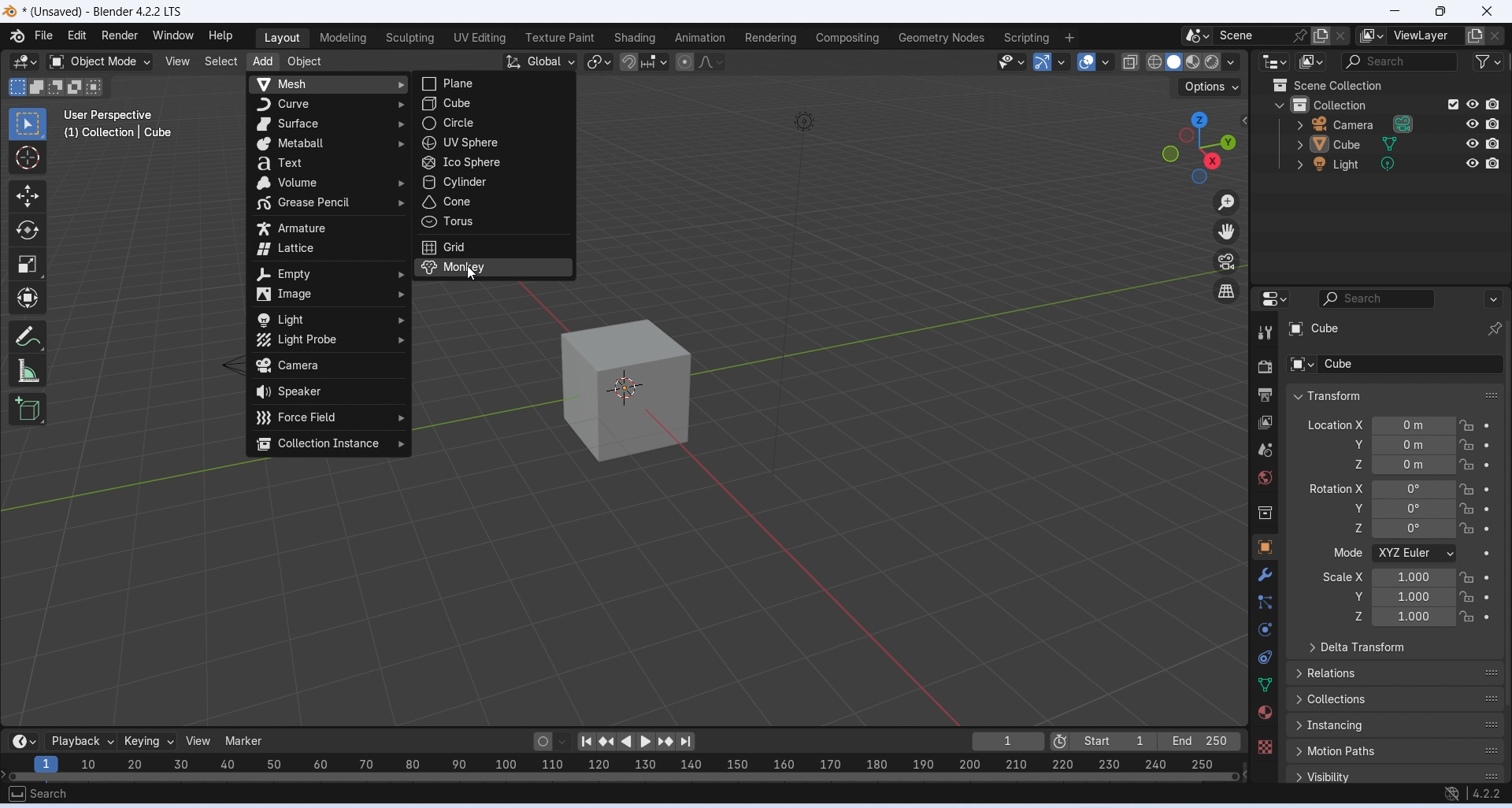 Image resolution: width=1512 pixels, height=808 pixels. Describe the element at coordinates (328, 163) in the screenshot. I see `text` at that location.